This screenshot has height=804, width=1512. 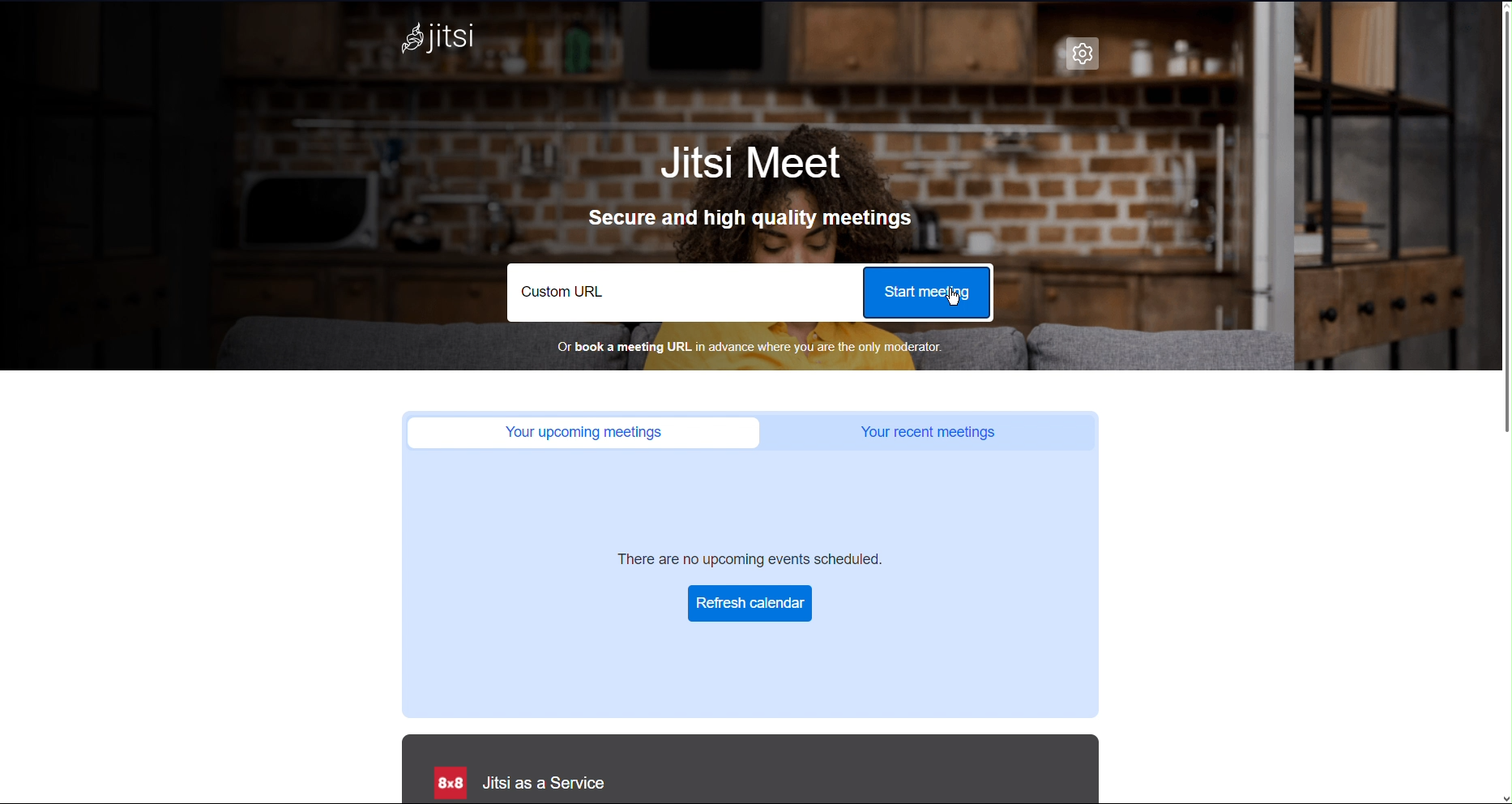 I want to click on Refresh, so click(x=750, y=604).